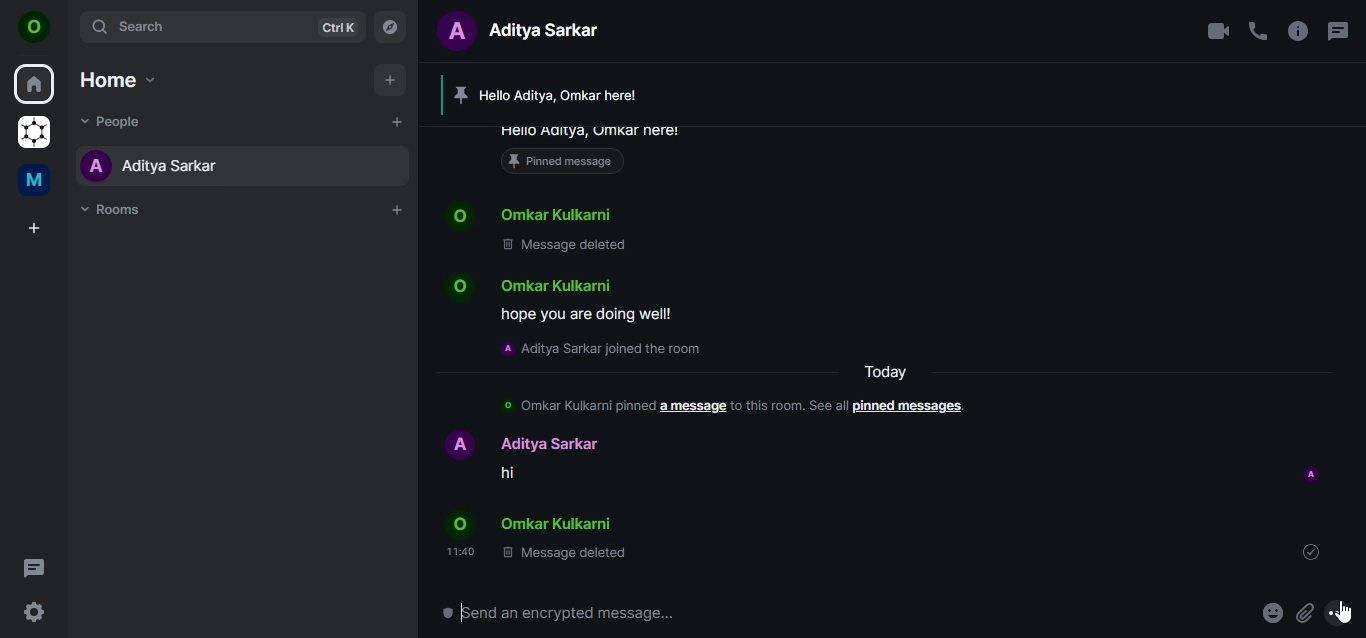 The width and height of the screenshot is (1366, 638). Describe the element at coordinates (391, 25) in the screenshot. I see `explore rooms` at that location.